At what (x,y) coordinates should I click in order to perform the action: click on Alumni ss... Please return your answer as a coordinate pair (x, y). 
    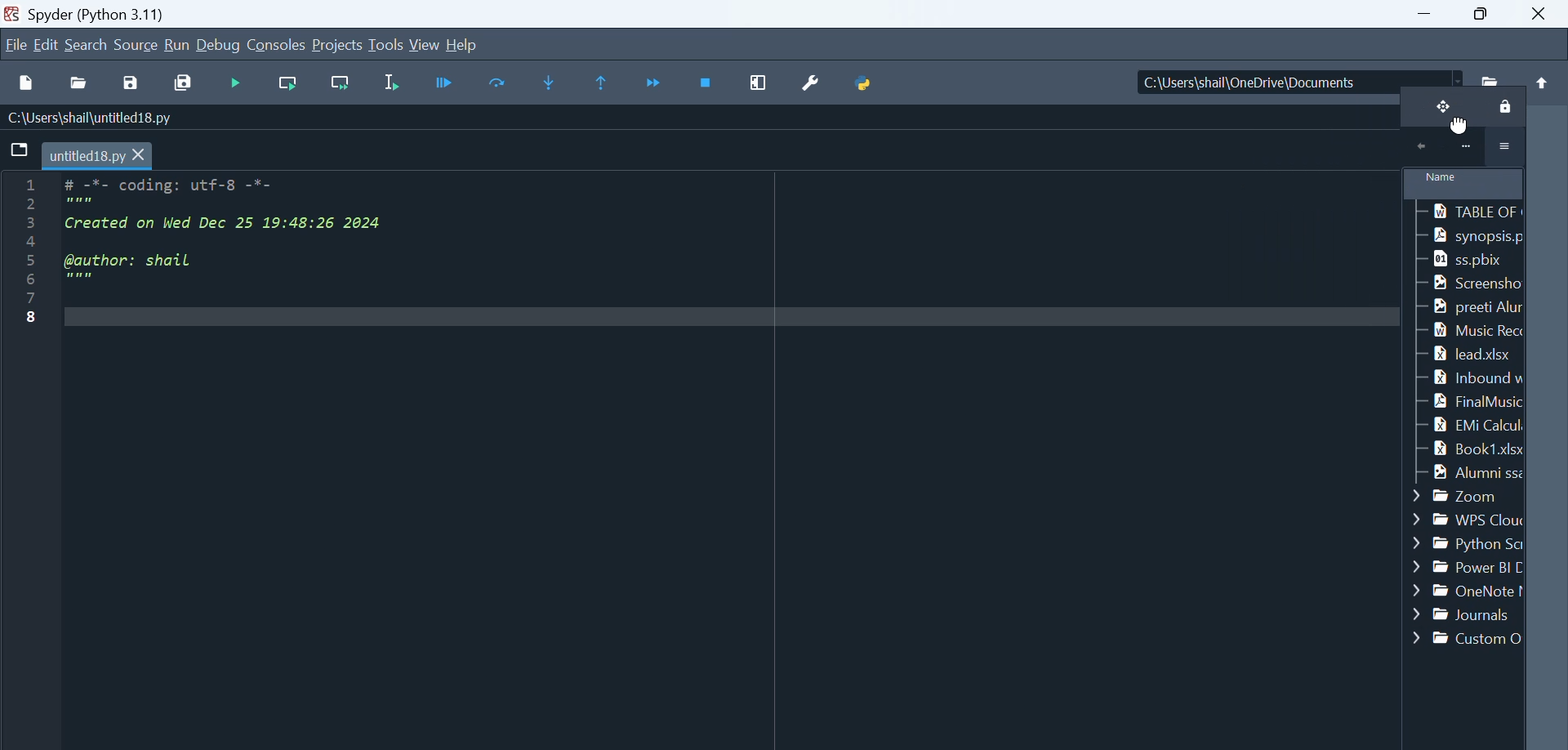
    Looking at the image, I should click on (1465, 472).